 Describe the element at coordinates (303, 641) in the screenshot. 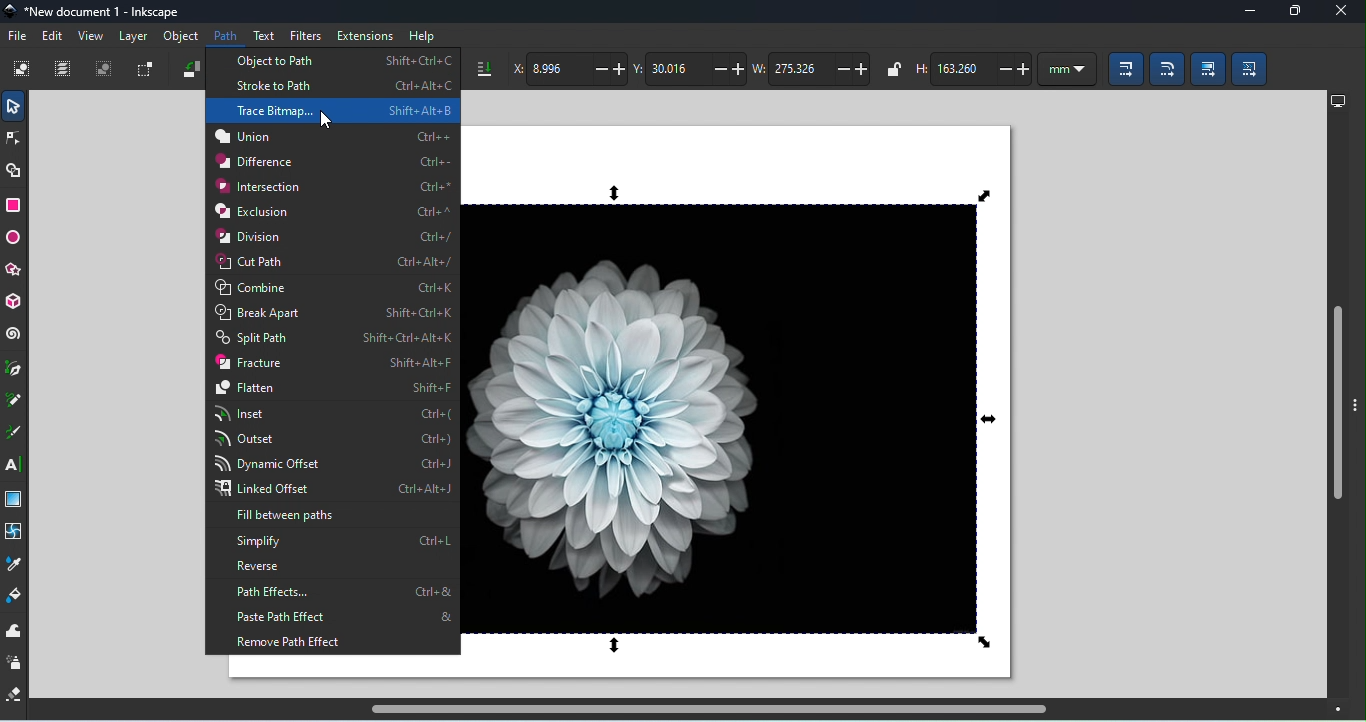

I see `Remove path effect` at that location.